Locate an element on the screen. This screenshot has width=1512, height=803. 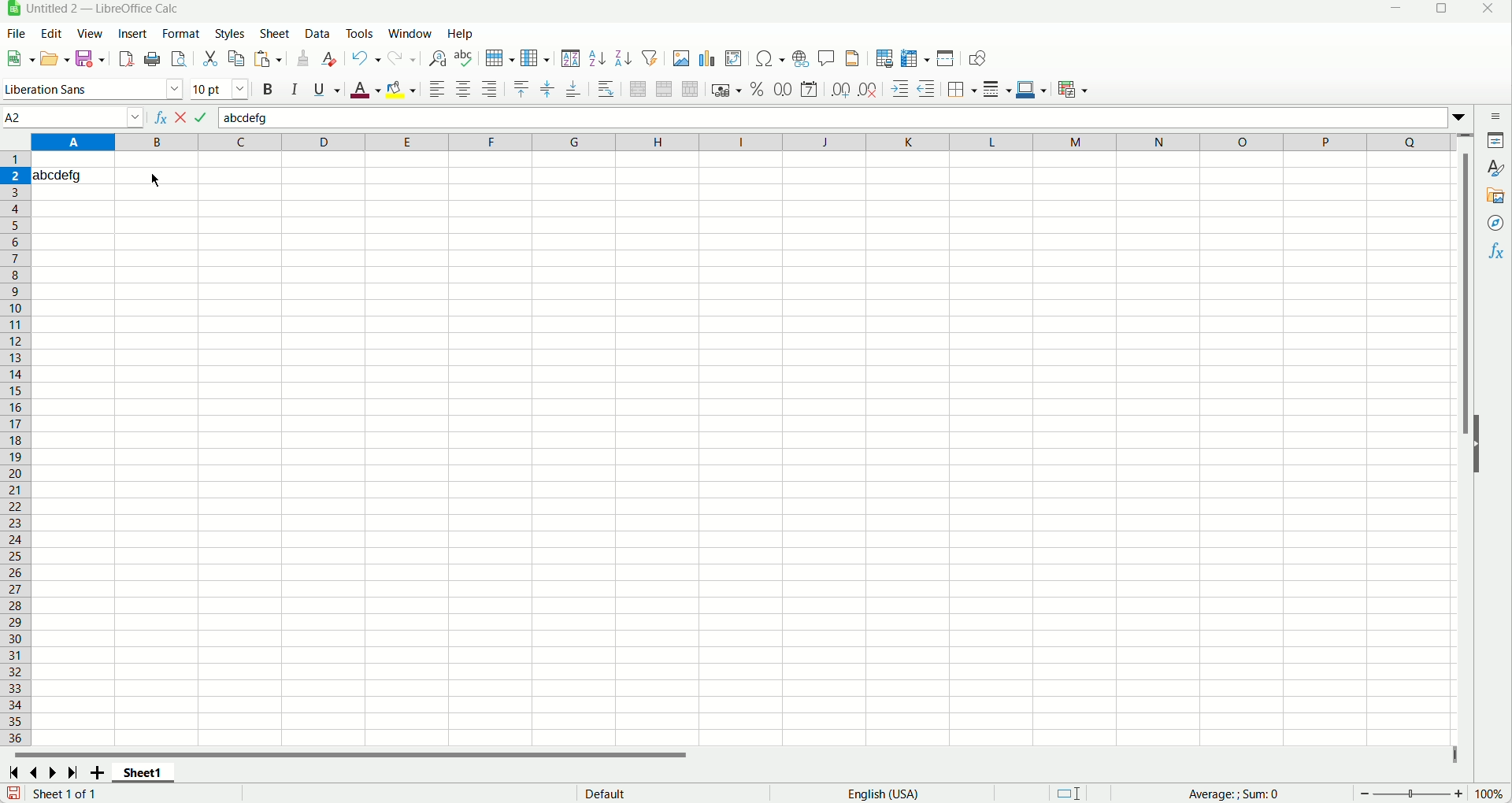
print is located at coordinates (151, 59).